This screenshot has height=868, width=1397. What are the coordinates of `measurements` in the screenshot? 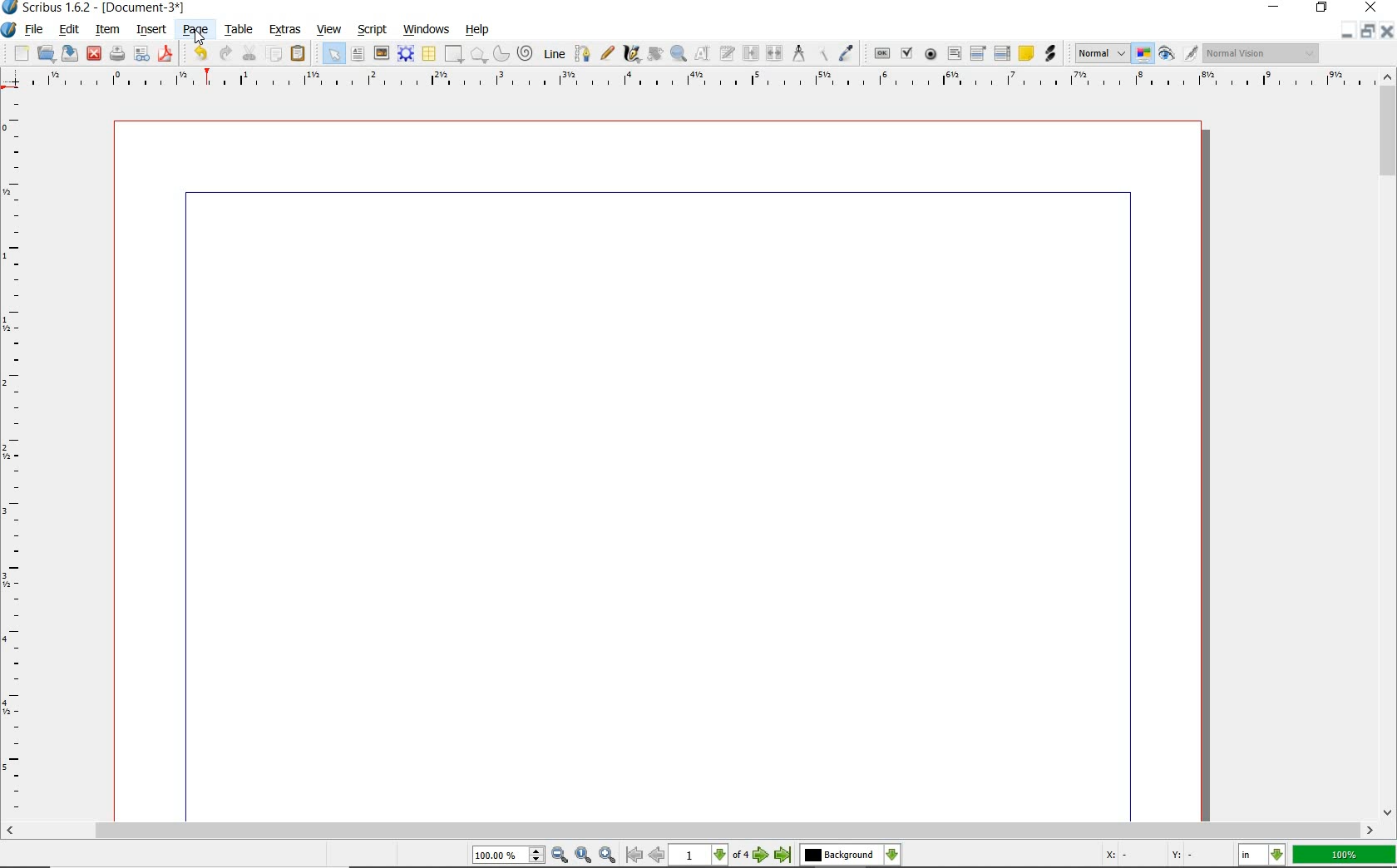 It's located at (797, 54).